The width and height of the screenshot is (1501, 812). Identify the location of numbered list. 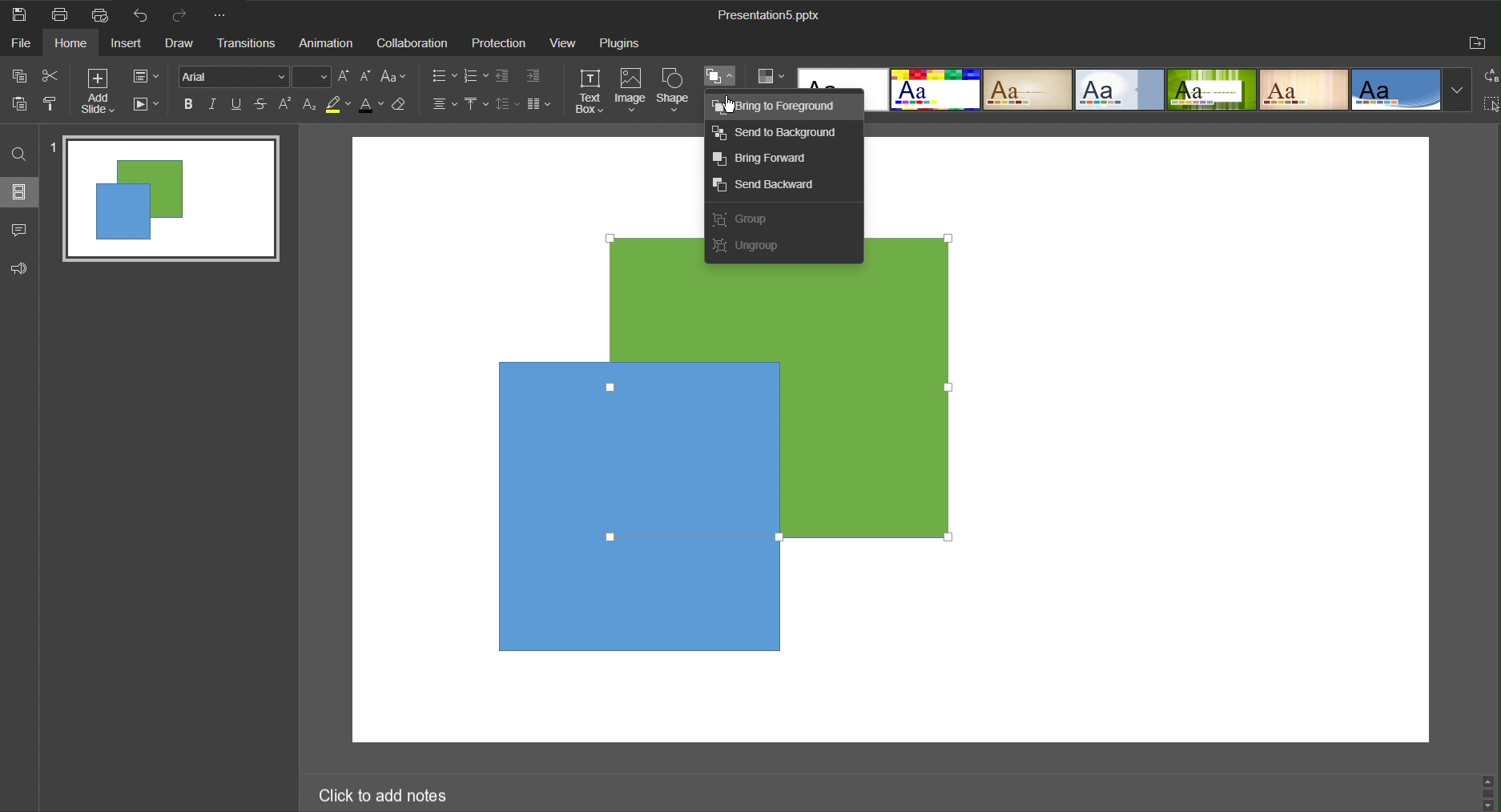
(474, 76).